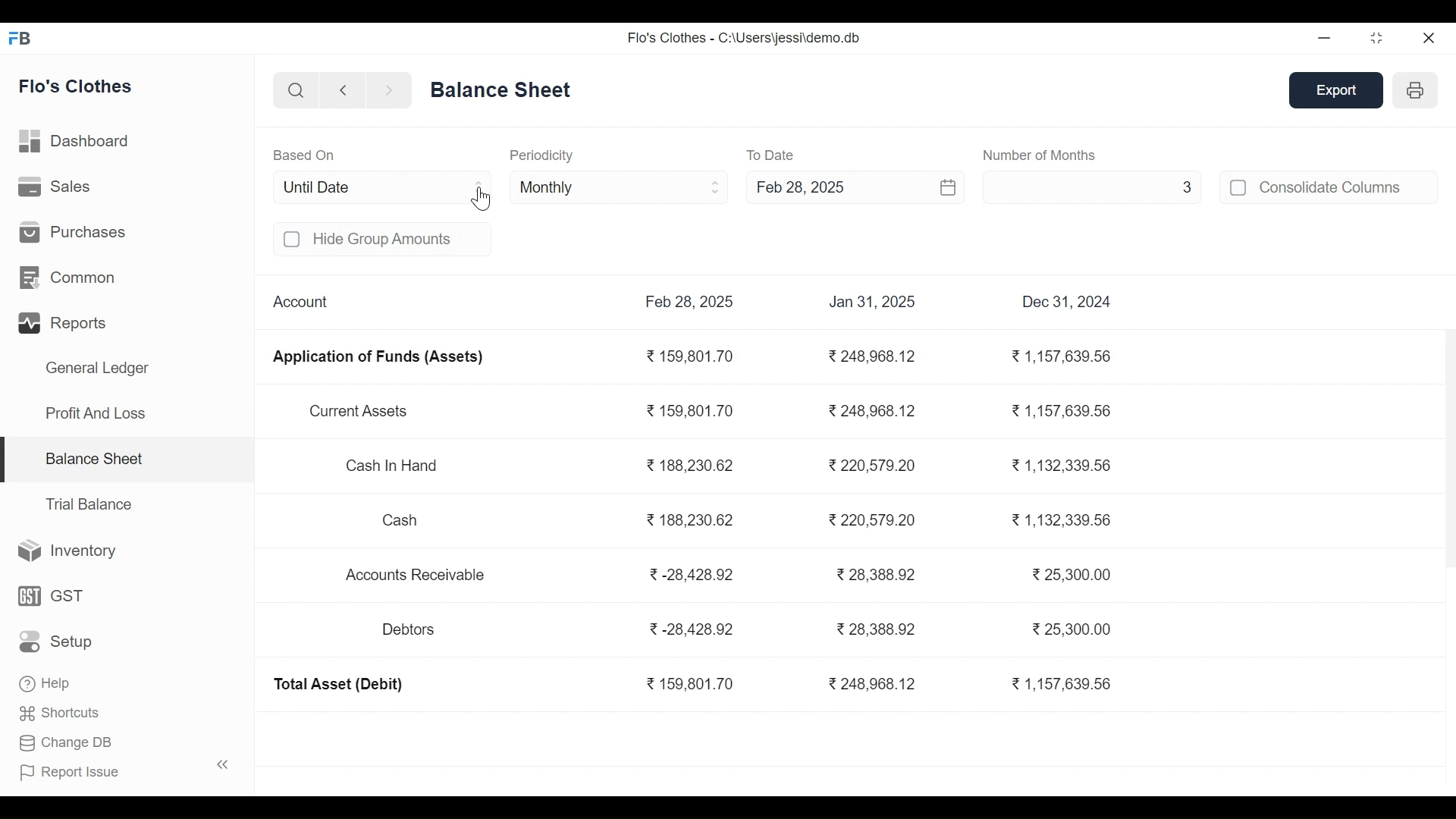 The height and width of the screenshot is (819, 1456). Describe the element at coordinates (293, 240) in the screenshot. I see `checkbox` at that location.